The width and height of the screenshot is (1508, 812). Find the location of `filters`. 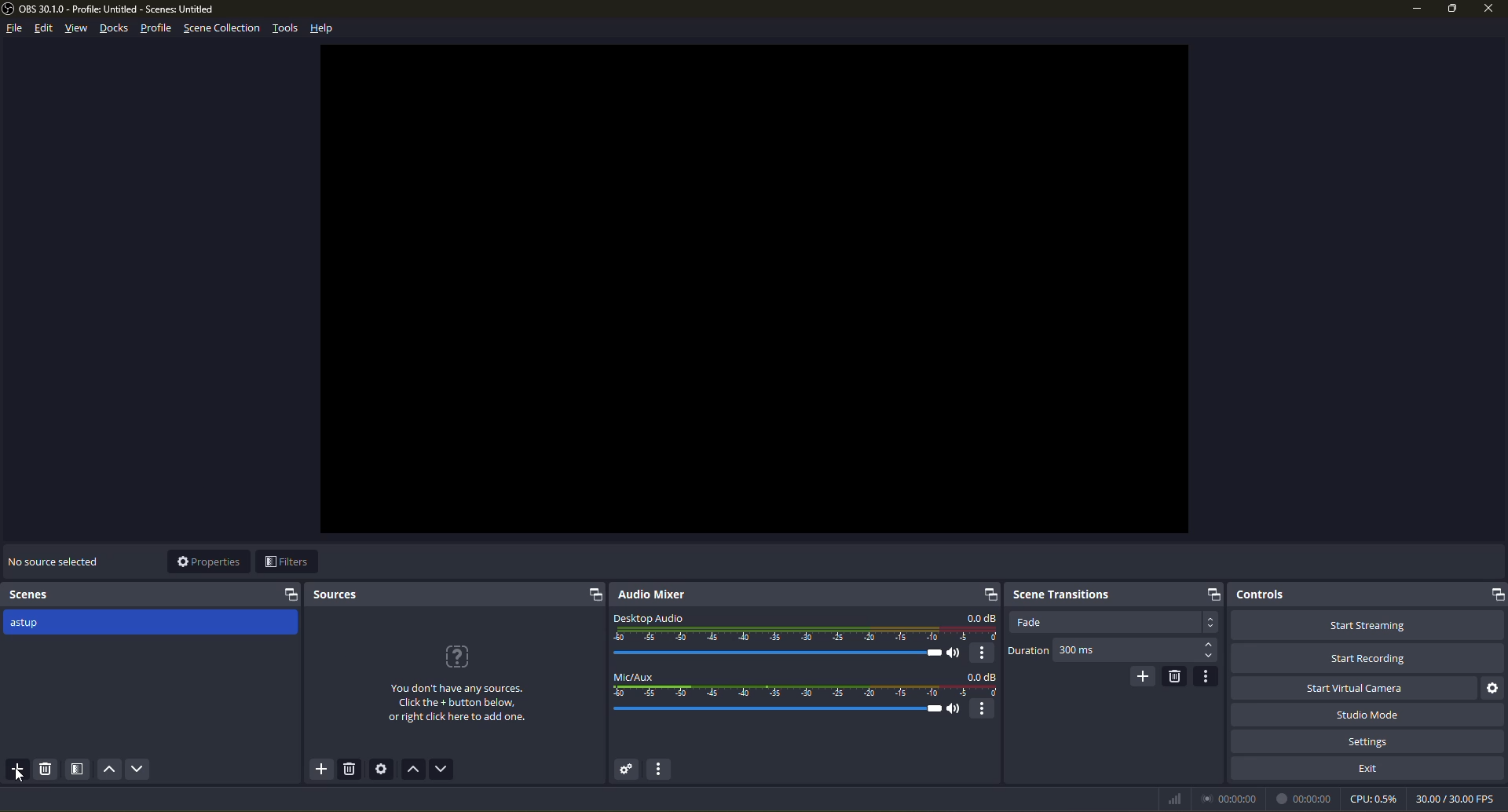

filters is located at coordinates (286, 561).